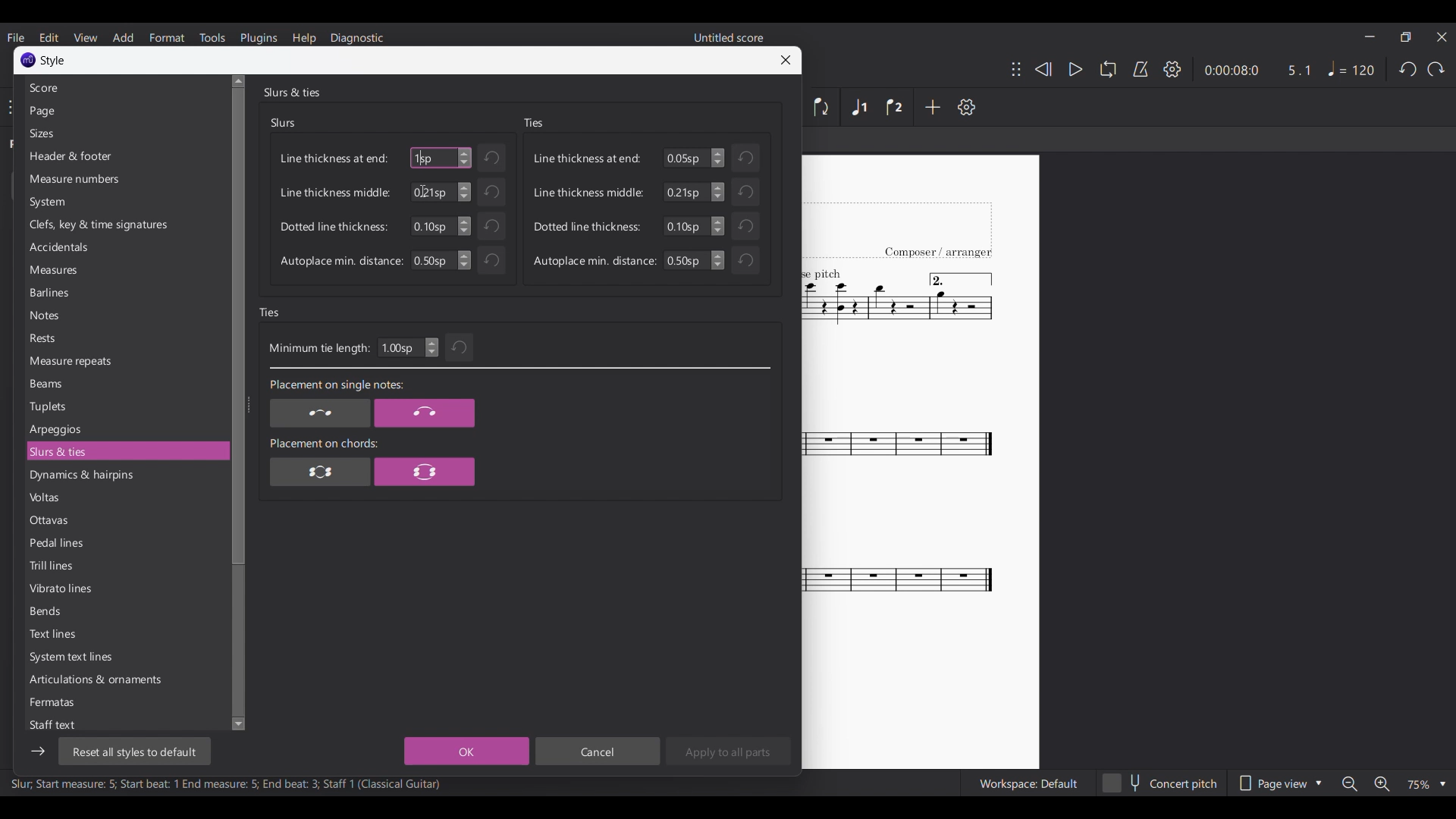  Describe the element at coordinates (686, 158) in the screenshot. I see `Input numbers for line thickness at end` at that location.